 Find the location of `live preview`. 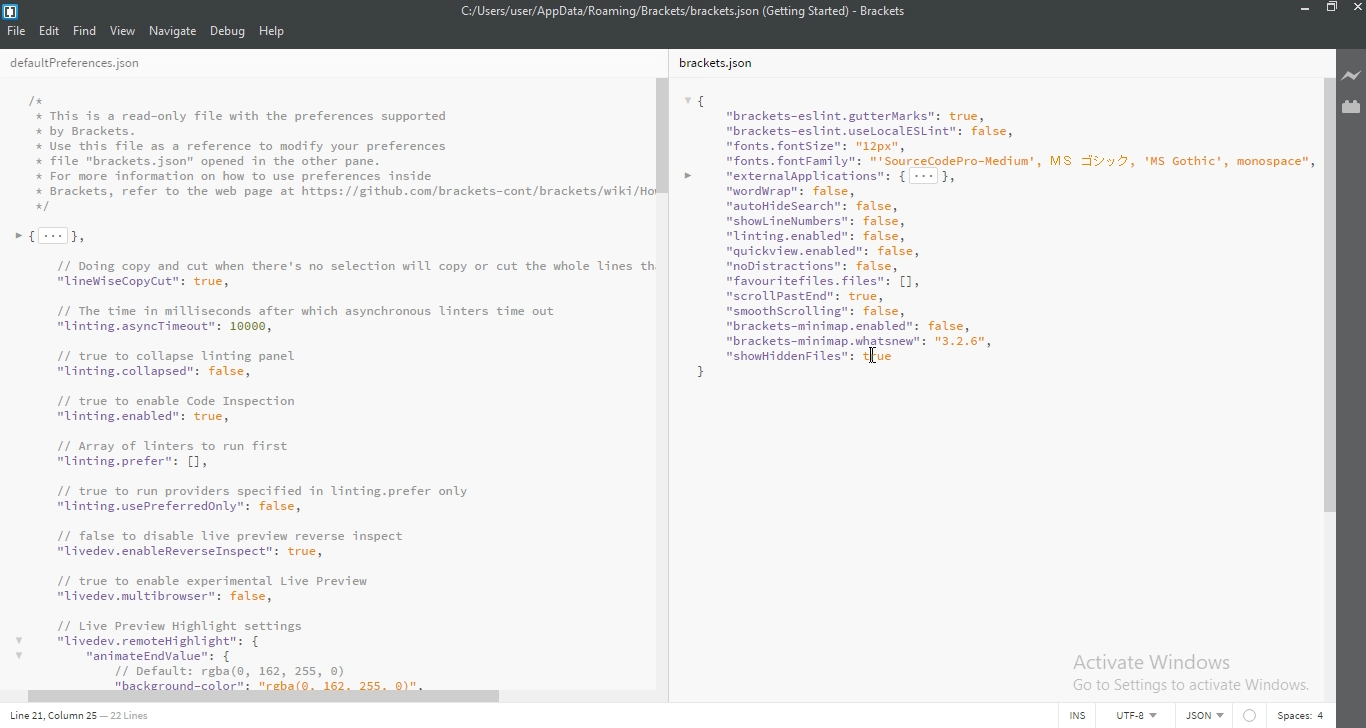

live preview is located at coordinates (1351, 76).